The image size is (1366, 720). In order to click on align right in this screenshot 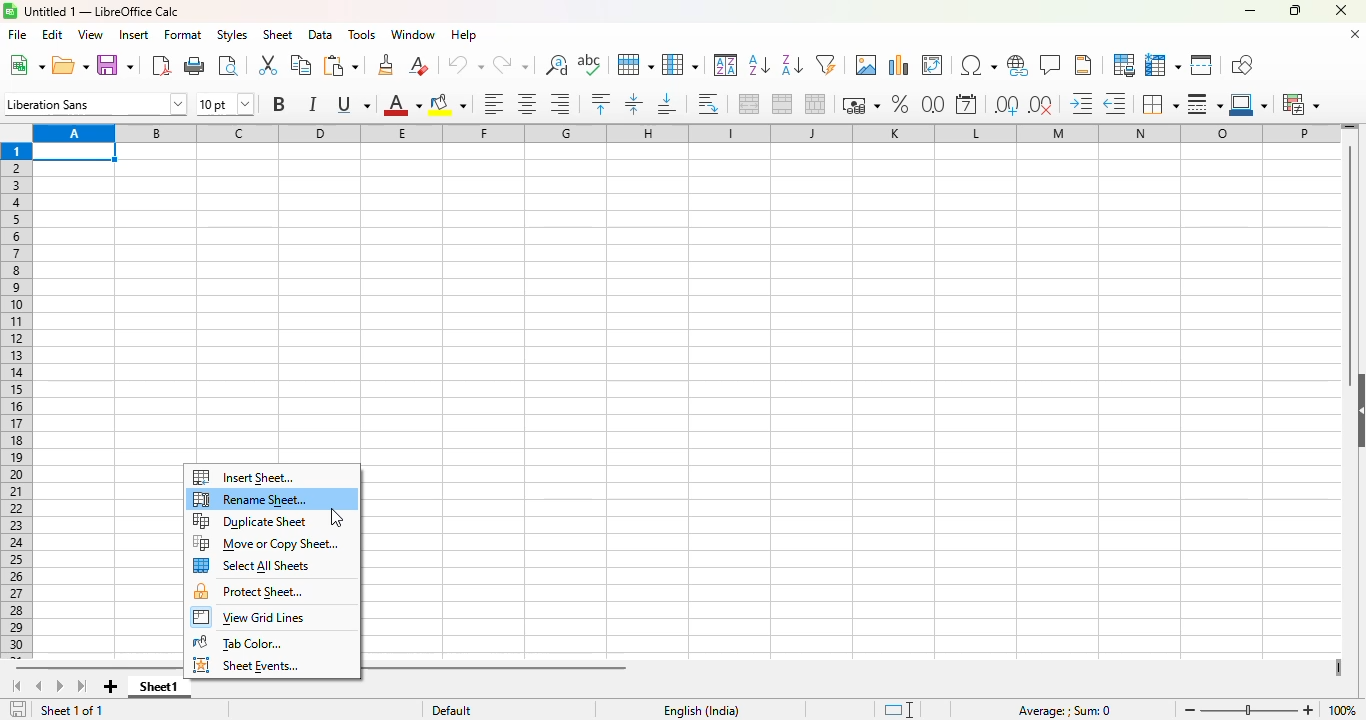, I will do `click(560, 104)`.